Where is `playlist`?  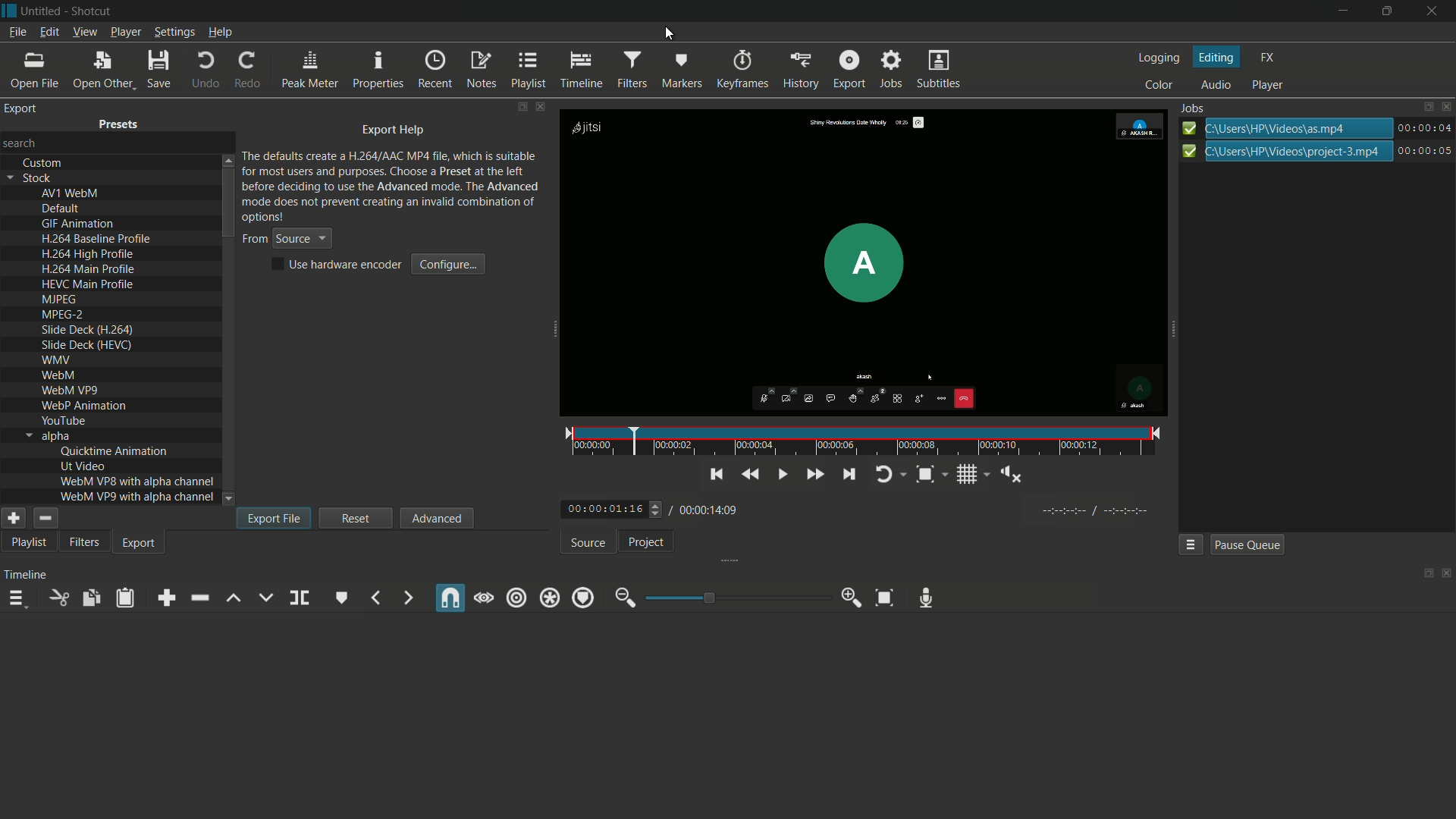 playlist is located at coordinates (527, 71).